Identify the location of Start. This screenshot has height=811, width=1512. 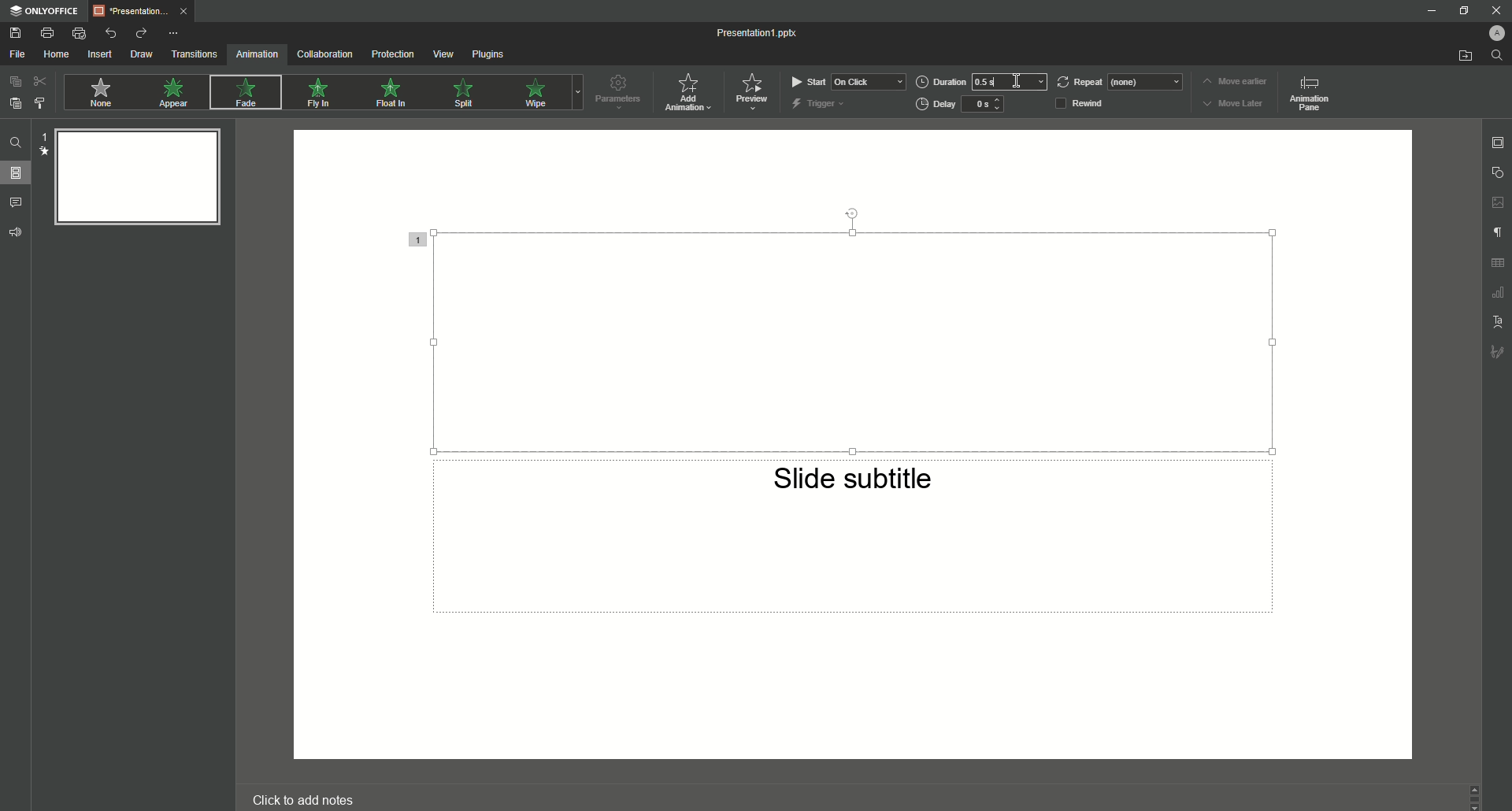
(845, 81).